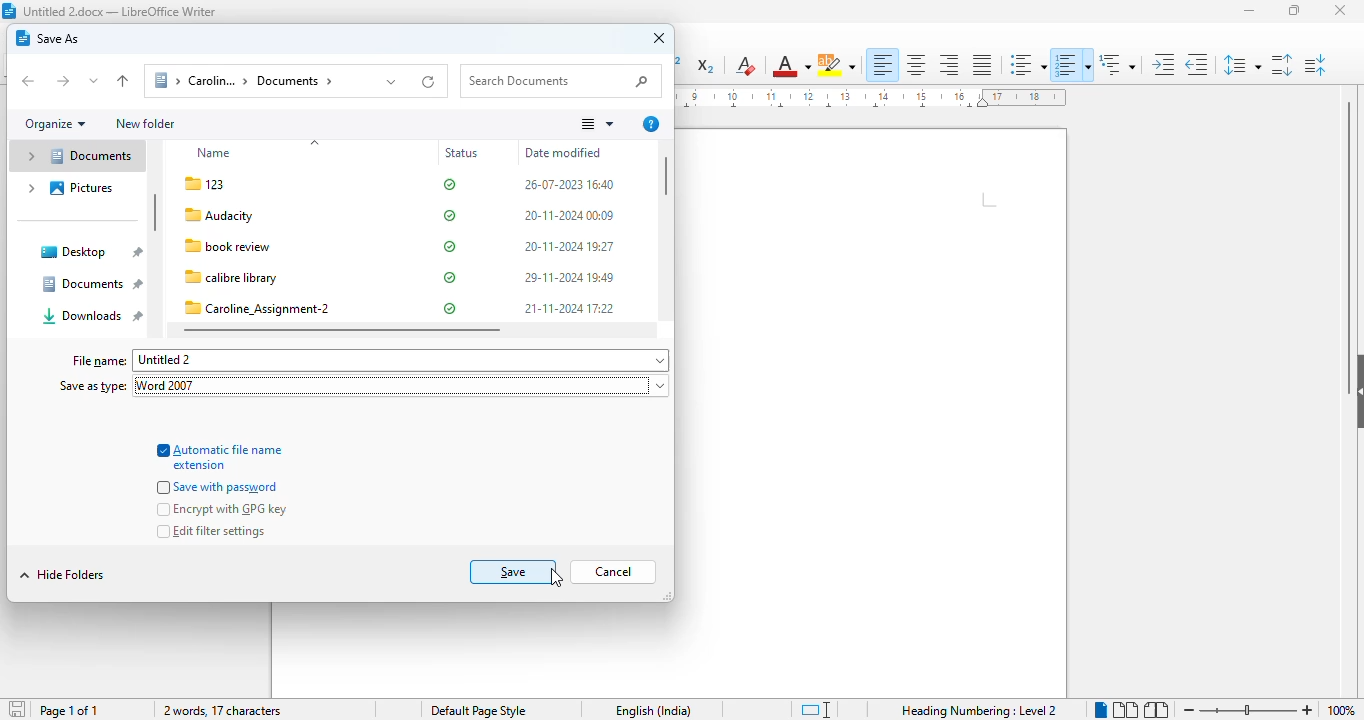 Image resolution: width=1364 pixels, height=720 pixels. What do you see at coordinates (392, 81) in the screenshot?
I see `previous locations` at bounding box center [392, 81].